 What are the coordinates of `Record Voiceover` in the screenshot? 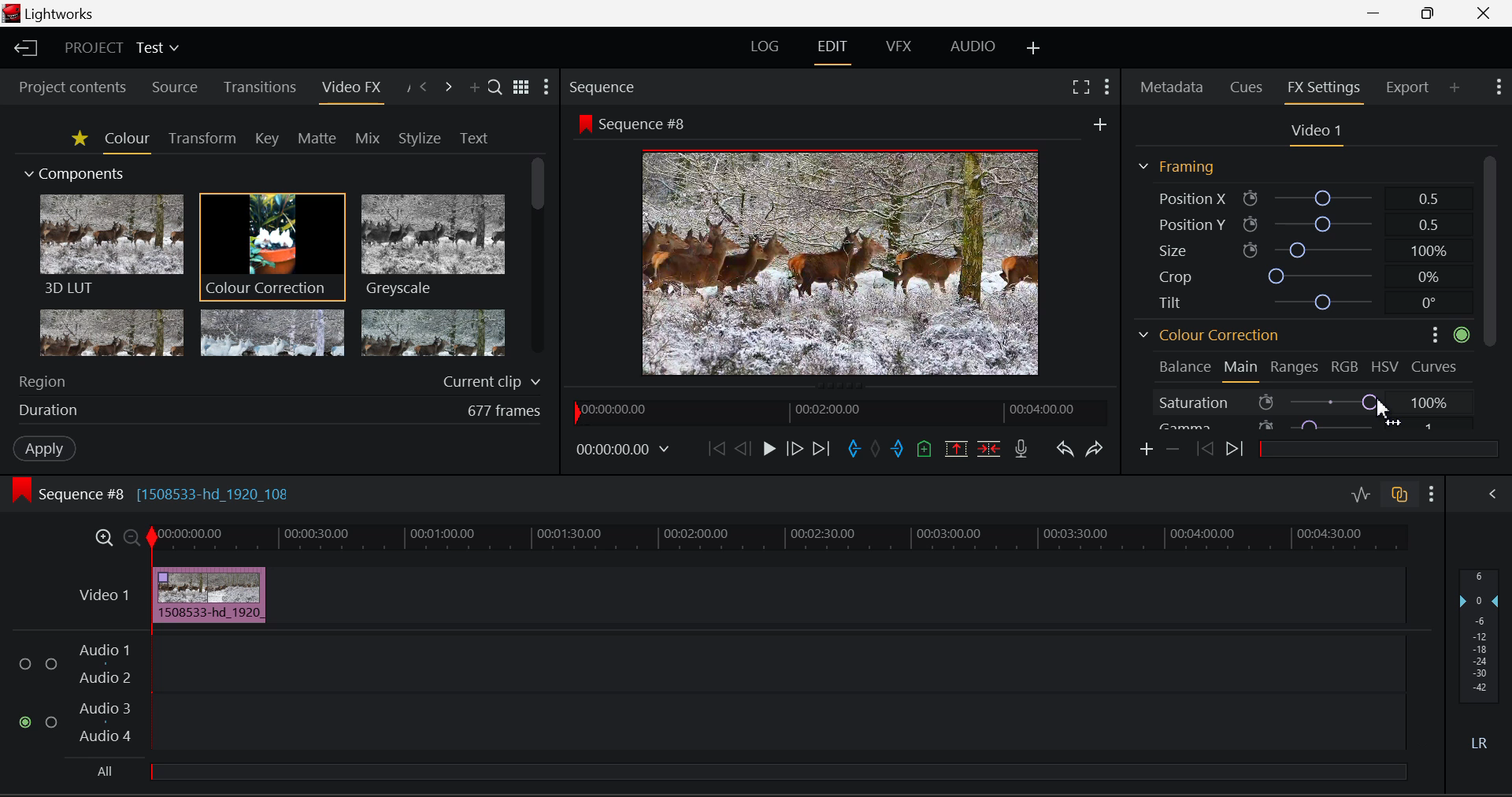 It's located at (1022, 449).